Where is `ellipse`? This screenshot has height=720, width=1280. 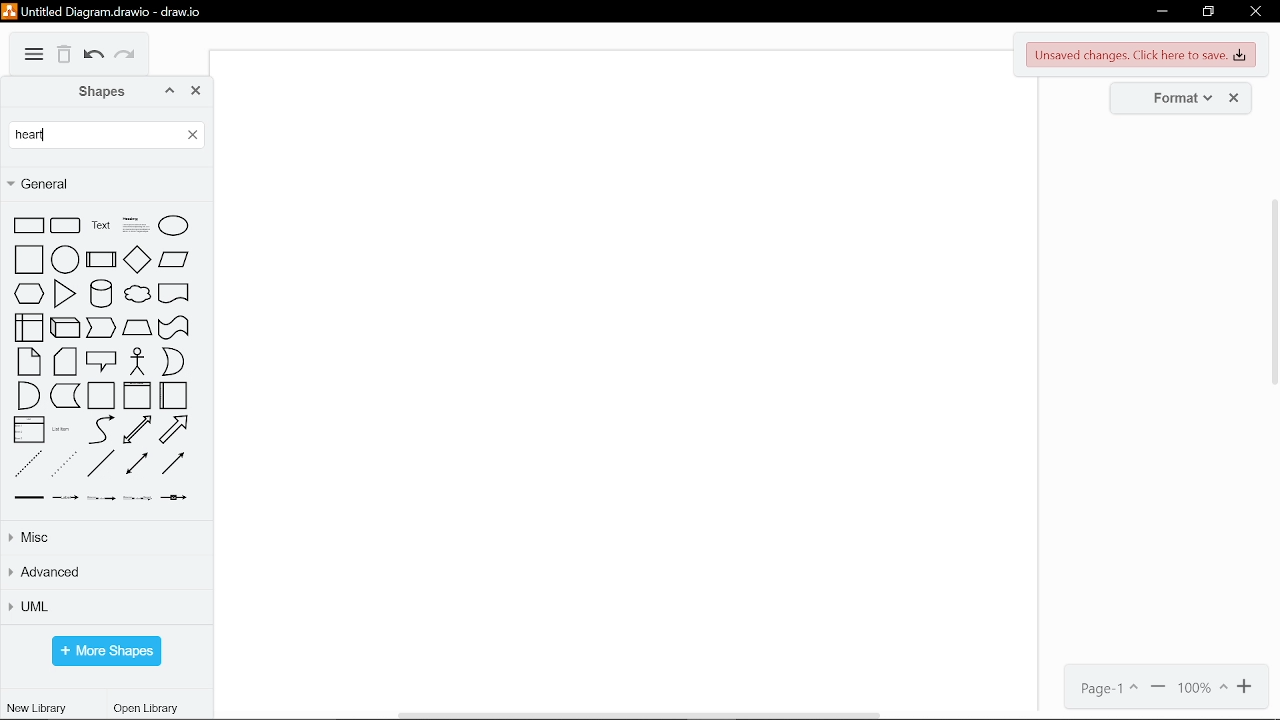 ellipse is located at coordinates (174, 228).